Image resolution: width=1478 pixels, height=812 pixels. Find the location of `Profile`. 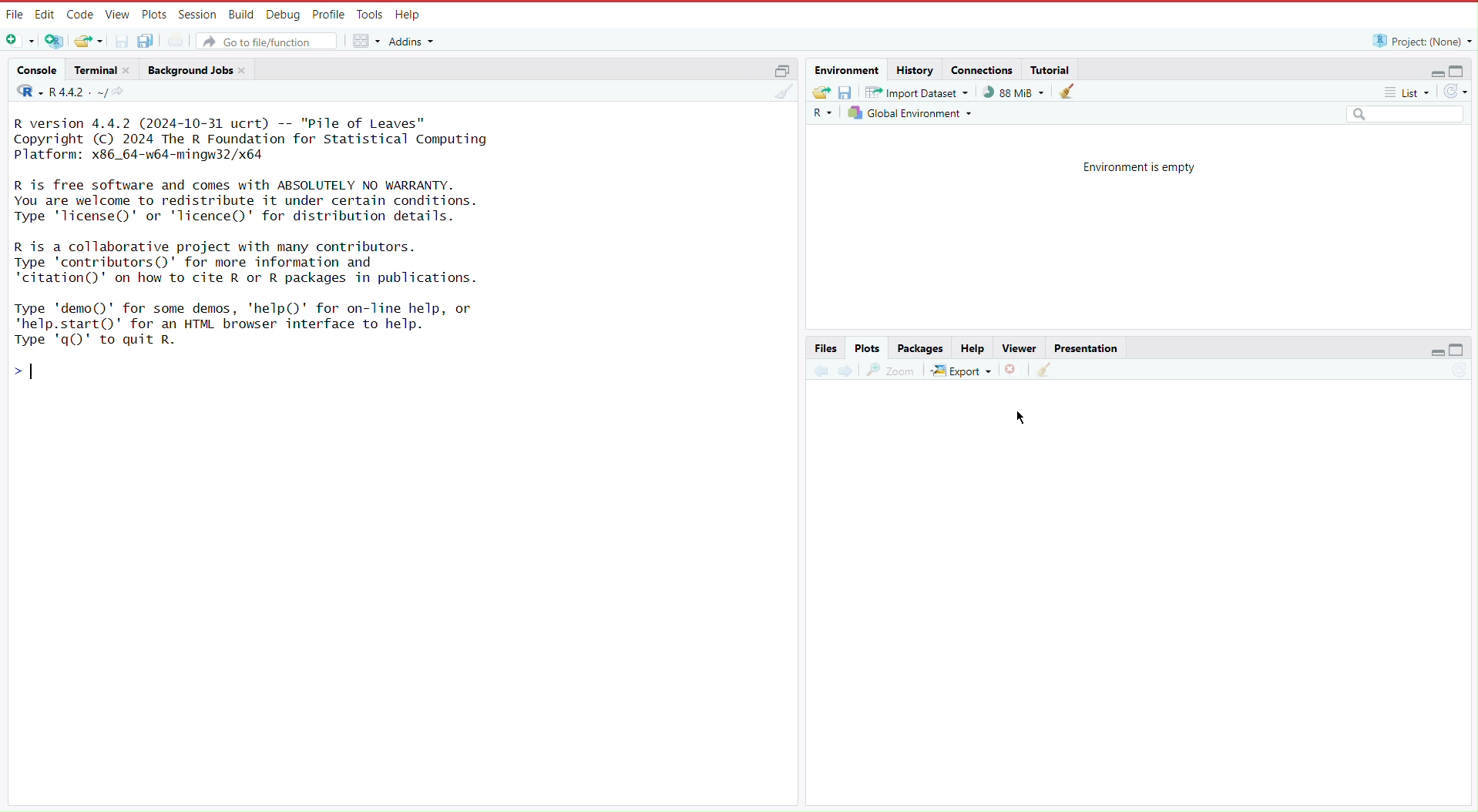

Profile is located at coordinates (325, 13).